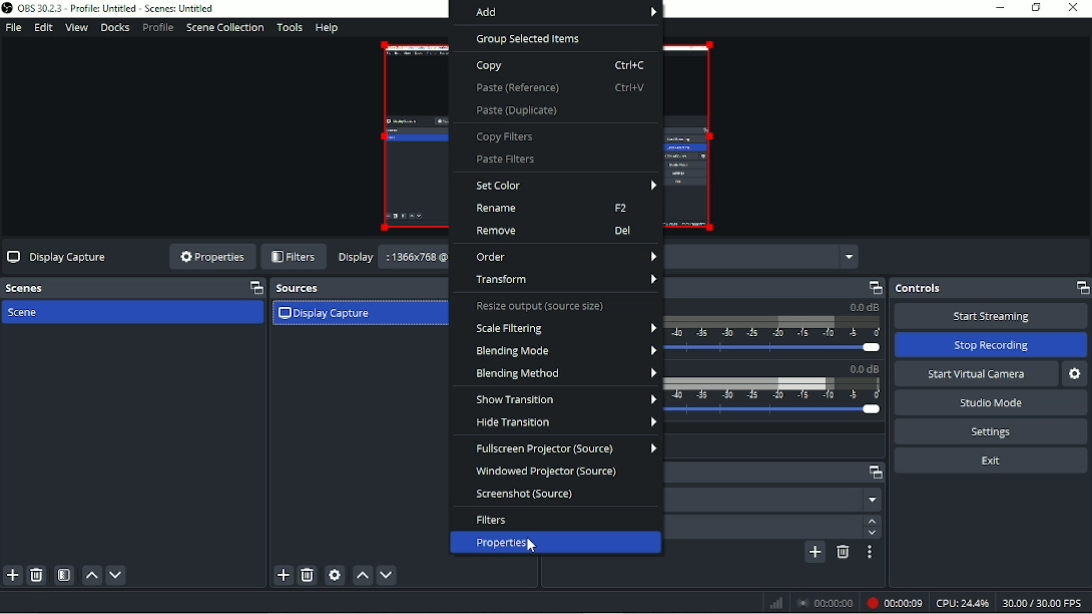 Image resolution: width=1092 pixels, height=614 pixels. I want to click on Tools, so click(289, 28).